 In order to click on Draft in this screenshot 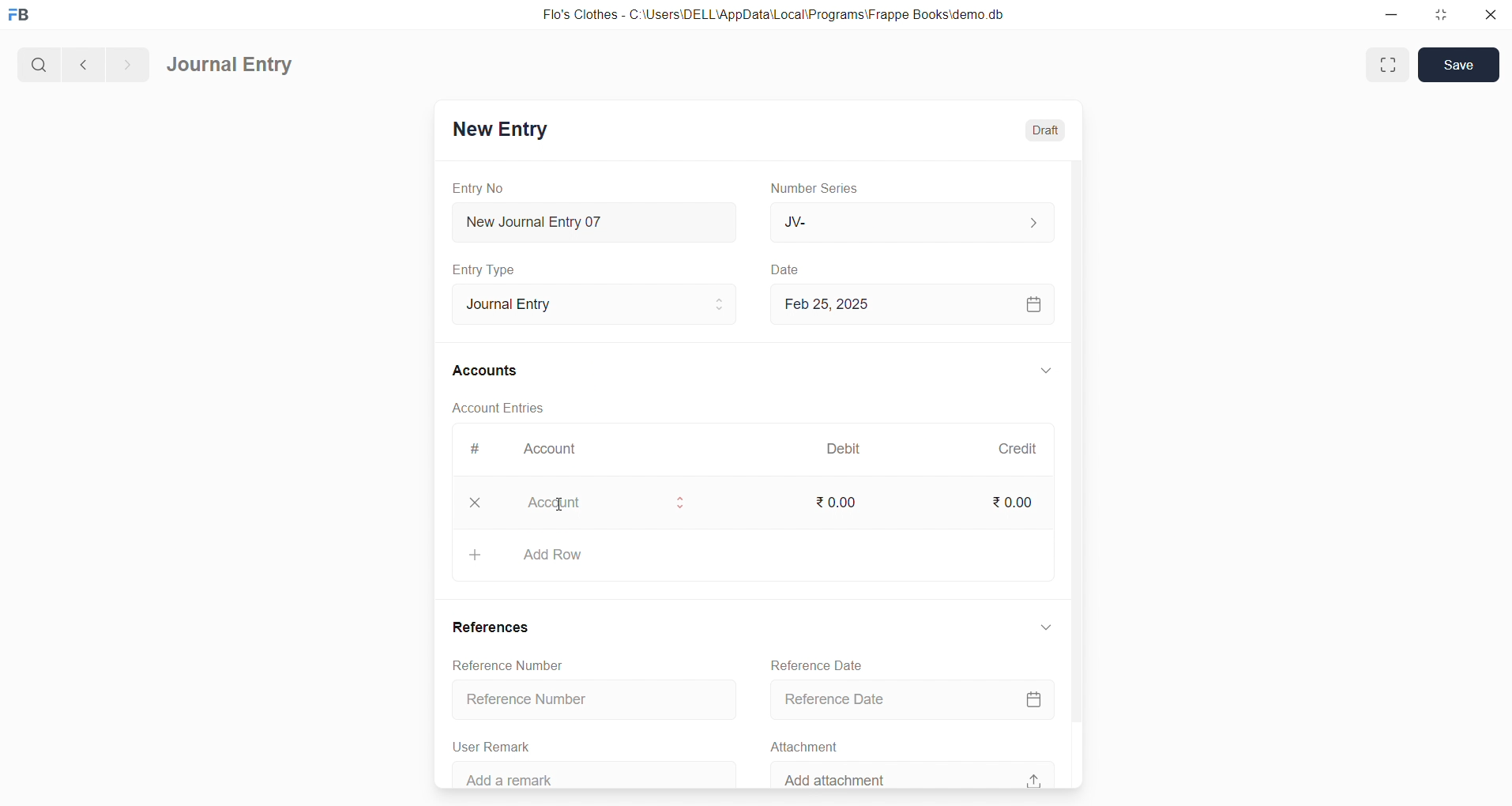, I will do `click(1046, 128)`.